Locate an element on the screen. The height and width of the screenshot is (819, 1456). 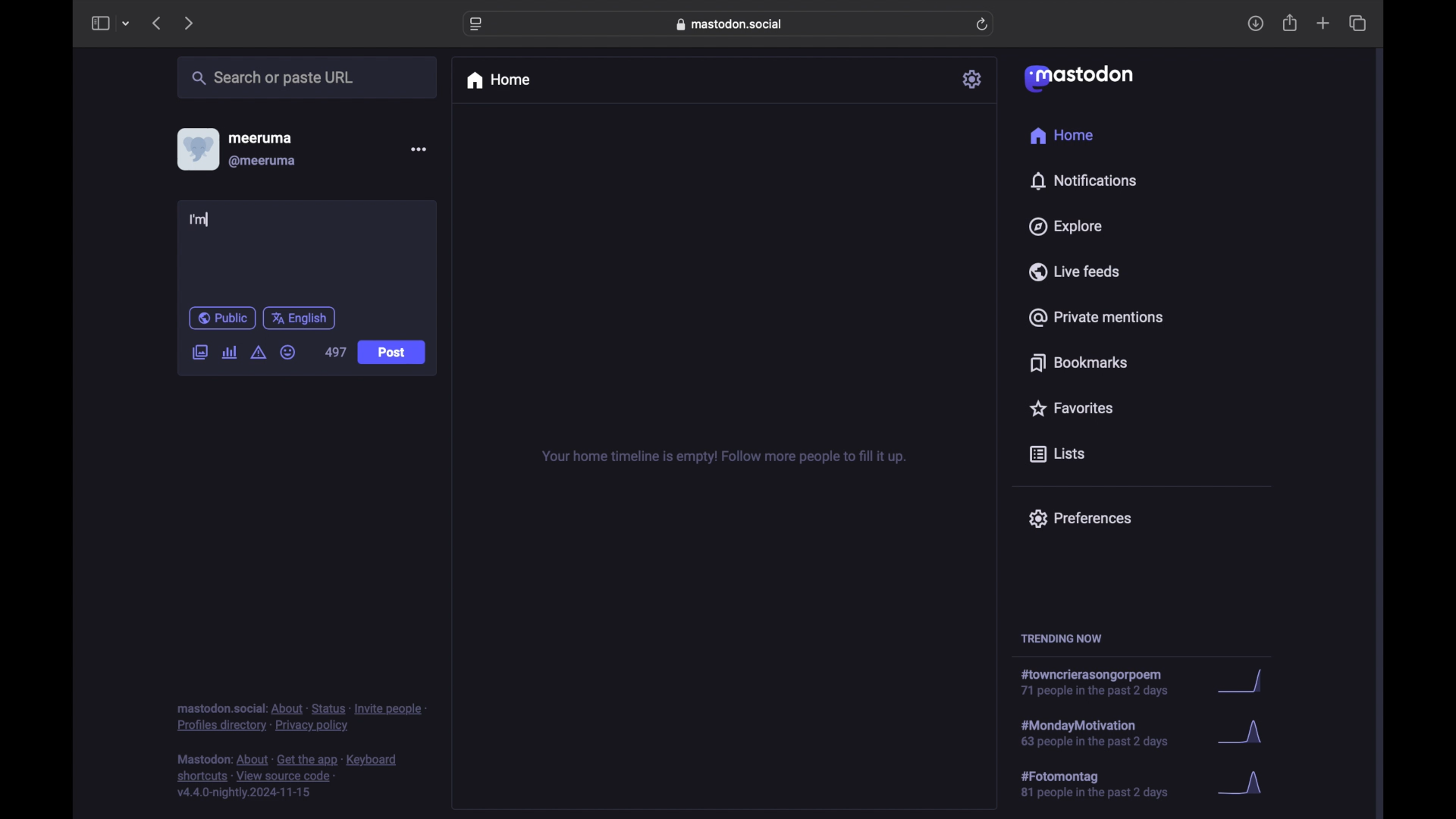
meeruma is located at coordinates (260, 138).